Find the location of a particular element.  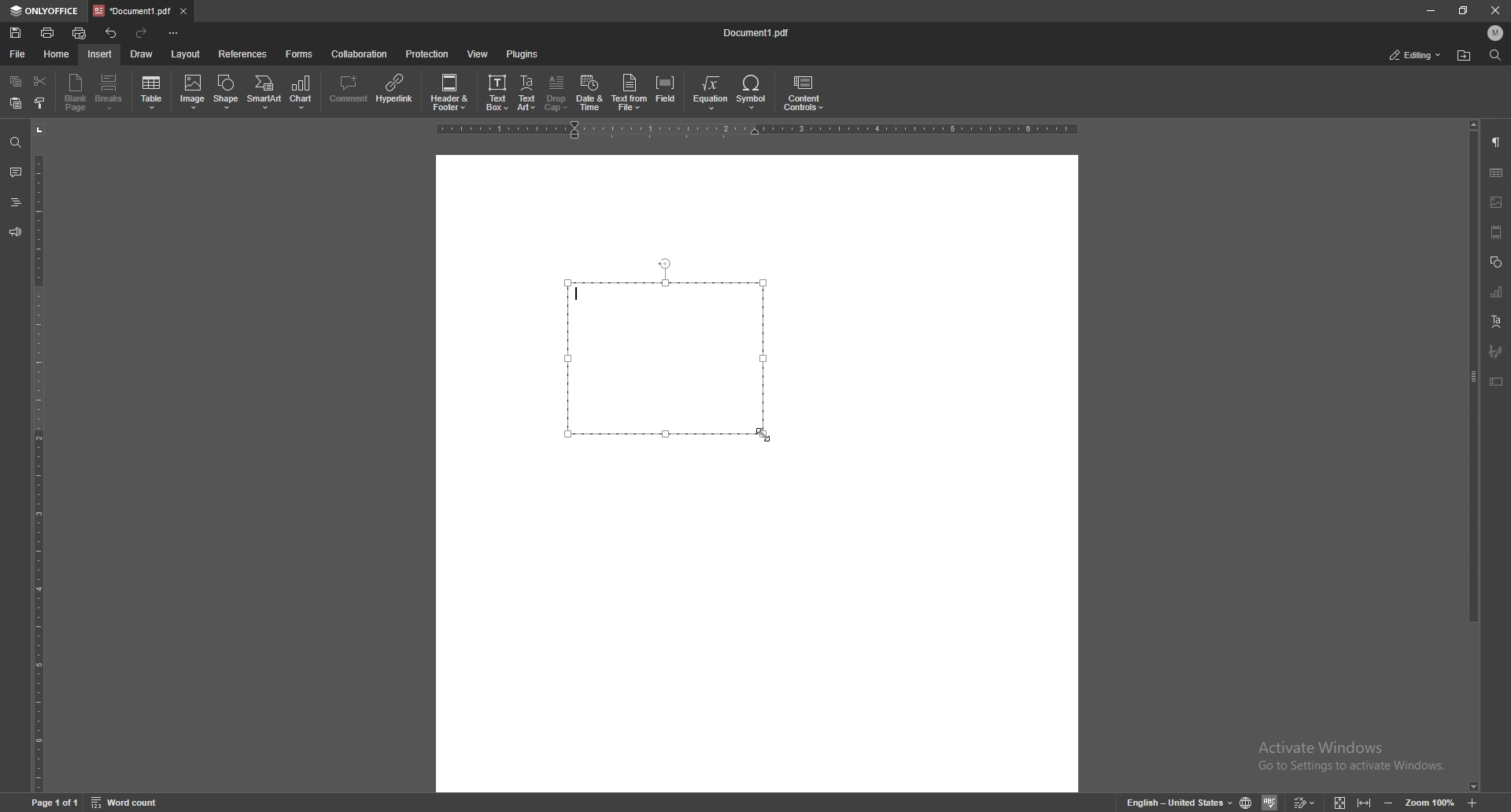

text art is located at coordinates (1496, 321).